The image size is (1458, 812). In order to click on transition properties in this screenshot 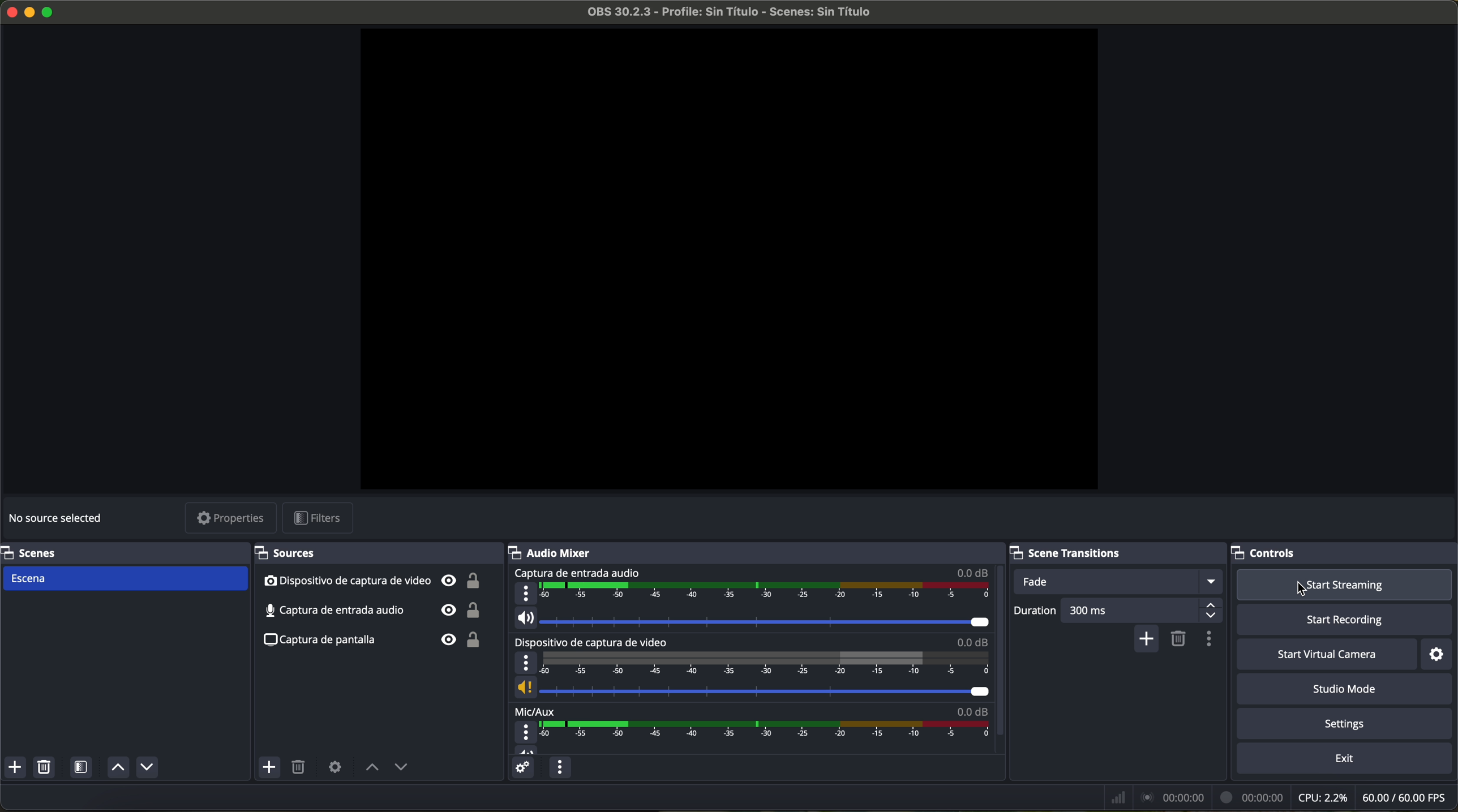, I will do `click(1208, 641)`.